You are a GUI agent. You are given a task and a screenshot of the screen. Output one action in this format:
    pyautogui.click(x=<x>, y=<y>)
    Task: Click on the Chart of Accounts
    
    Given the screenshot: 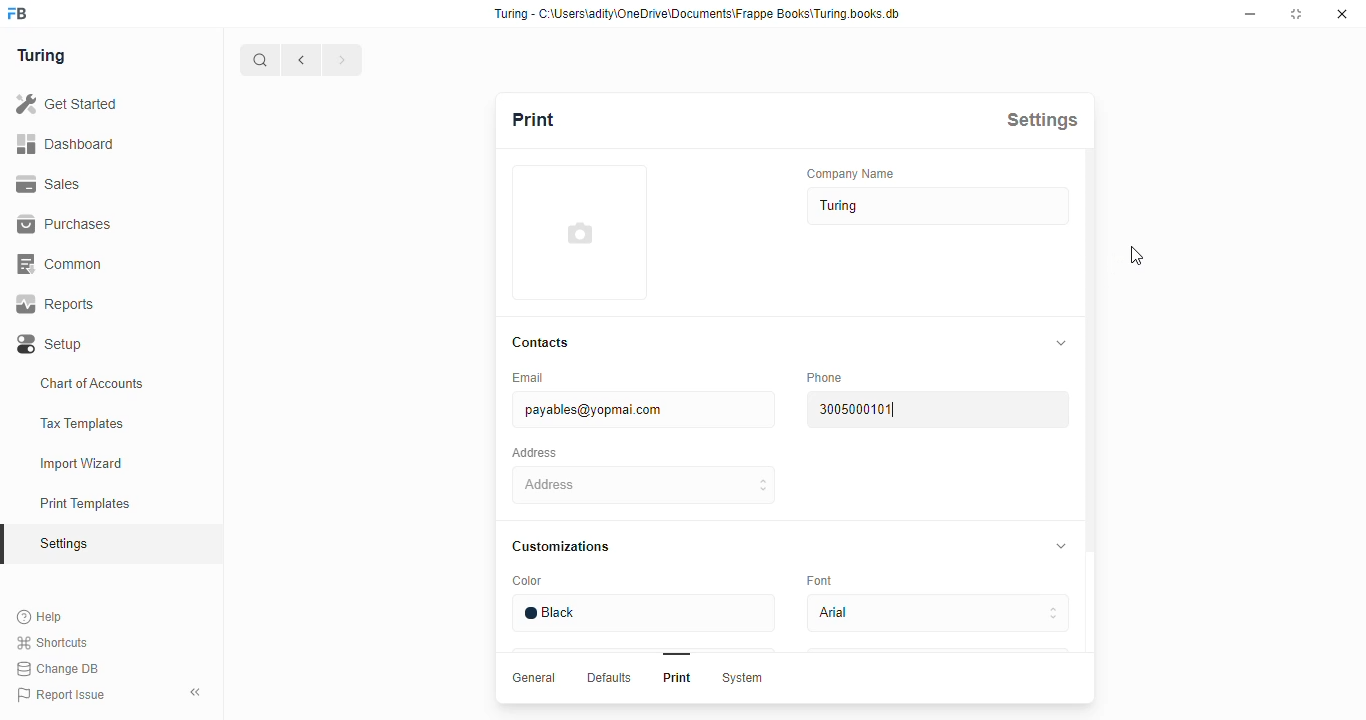 What is the action you would take?
    pyautogui.click(x=100, y=382)
    